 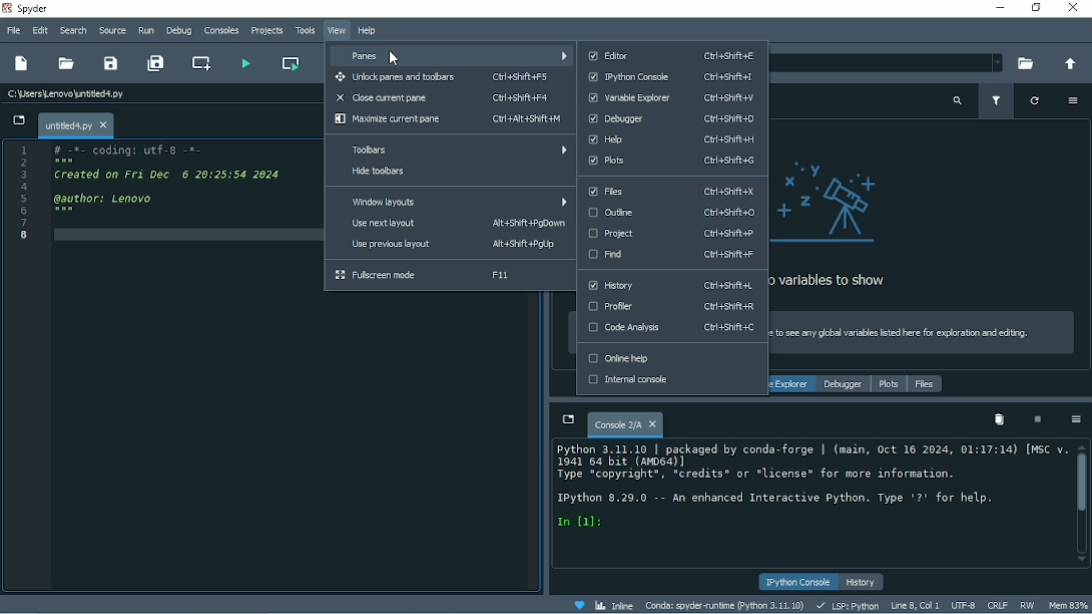 I want to click on CRLF, so click(x=998, y=604).